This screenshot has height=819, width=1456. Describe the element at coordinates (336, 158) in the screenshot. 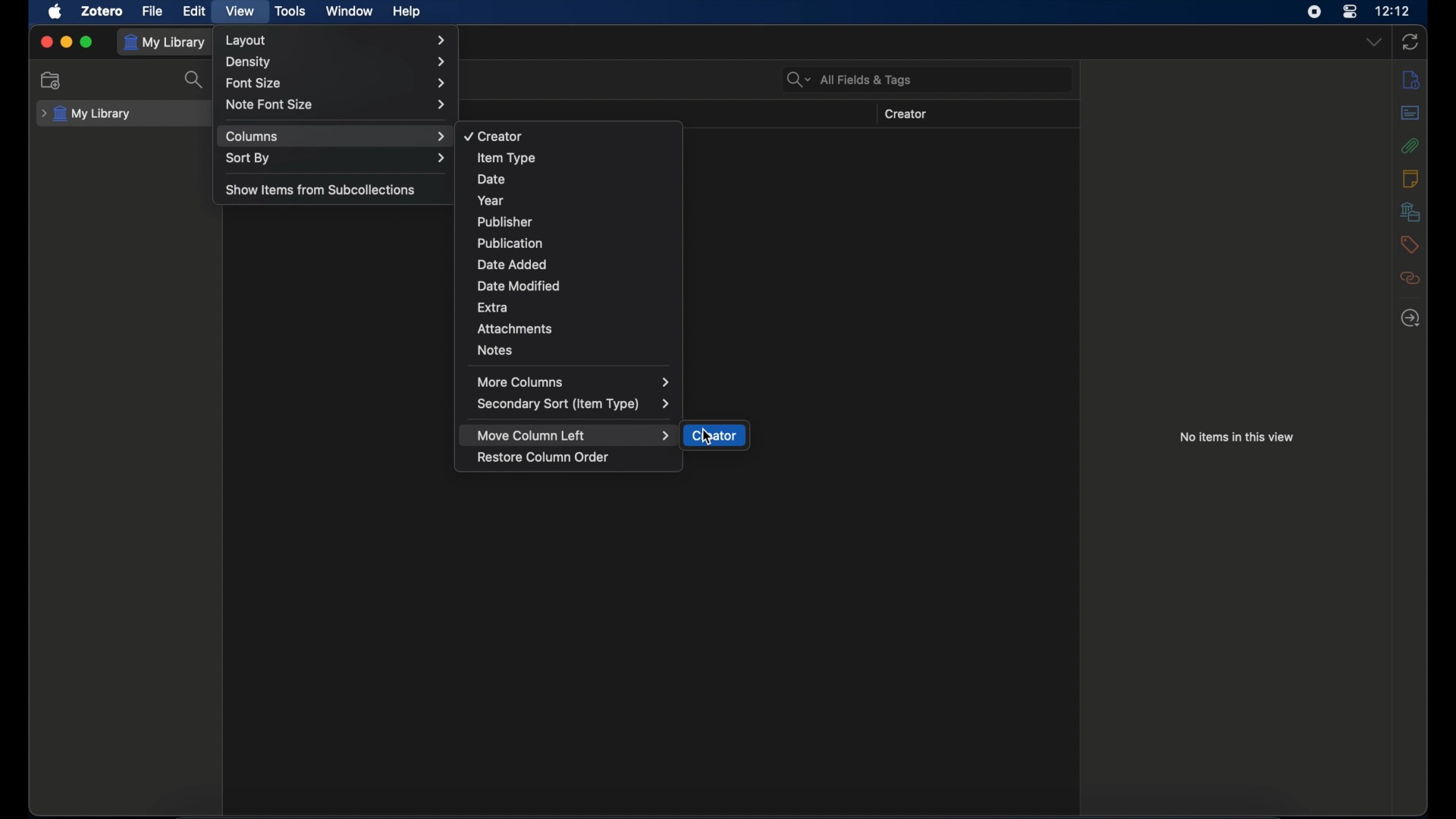

I see `sort by` at that location.